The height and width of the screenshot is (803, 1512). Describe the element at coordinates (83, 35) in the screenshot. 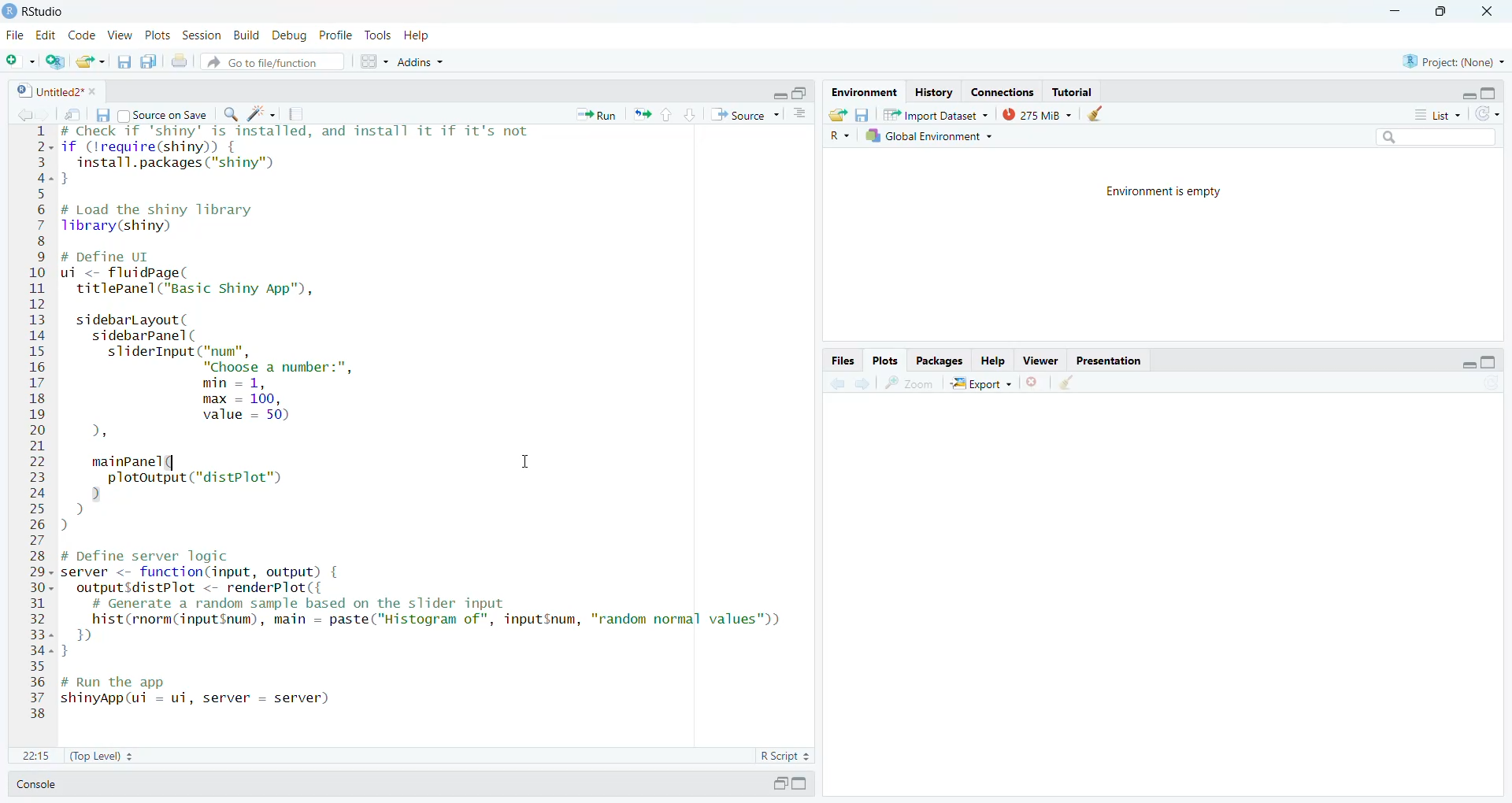

I see `Code` at that location.